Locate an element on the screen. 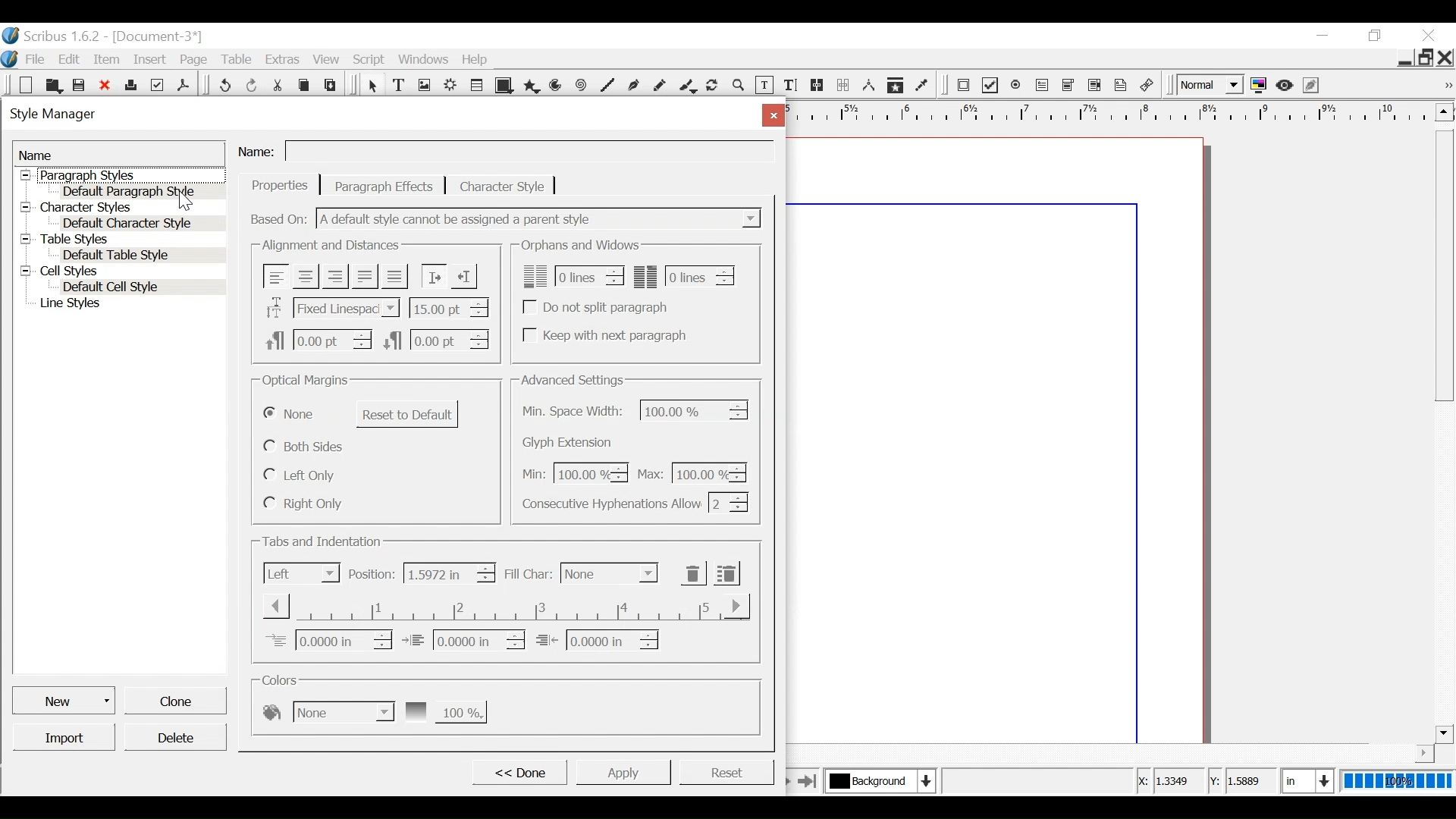 This screenshot has height=819, width=1456. Reset to Default is located at coordinates (407, 414).